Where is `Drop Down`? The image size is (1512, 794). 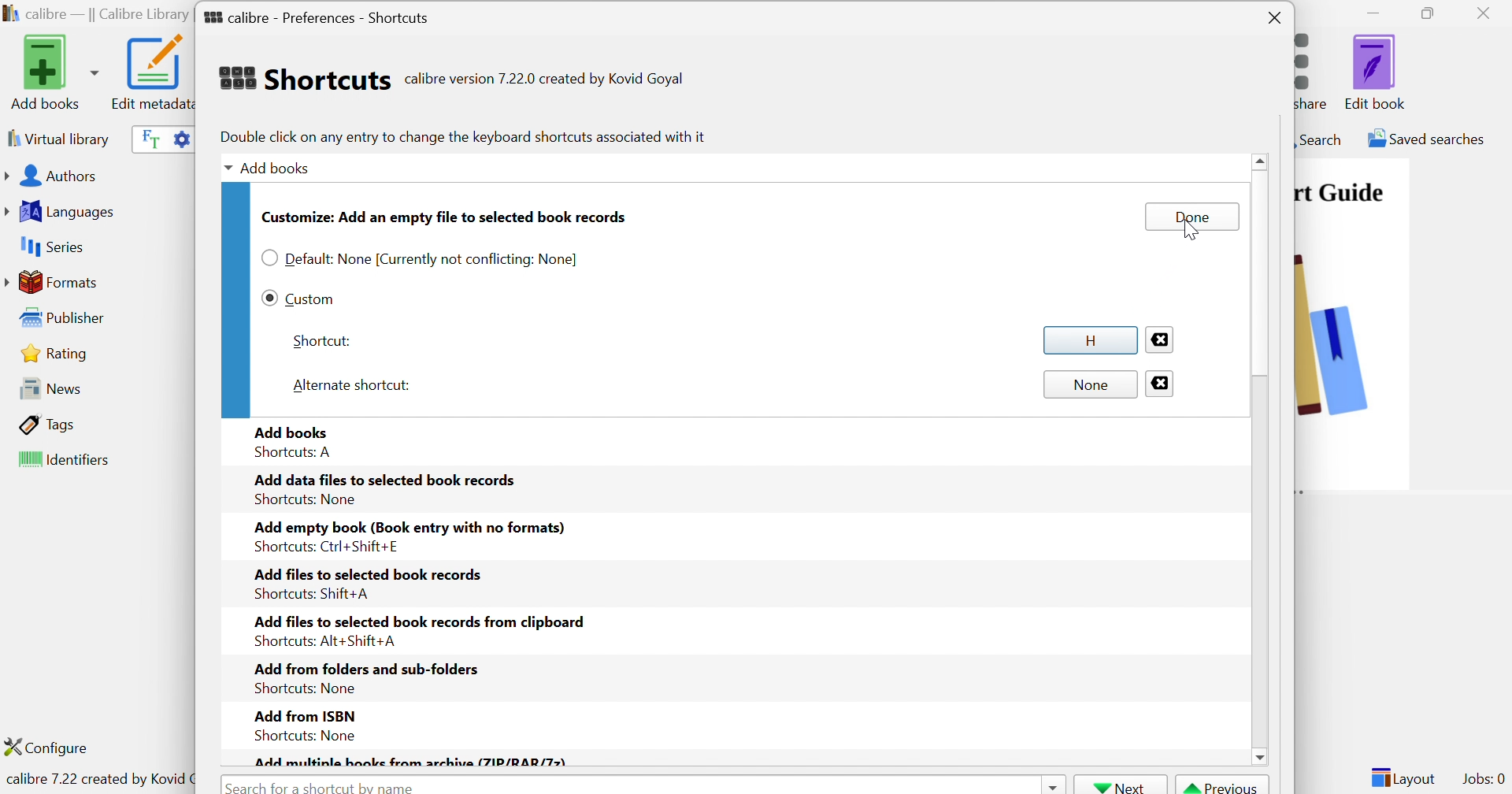 Drop Down is located at coordinates (1051, 785).